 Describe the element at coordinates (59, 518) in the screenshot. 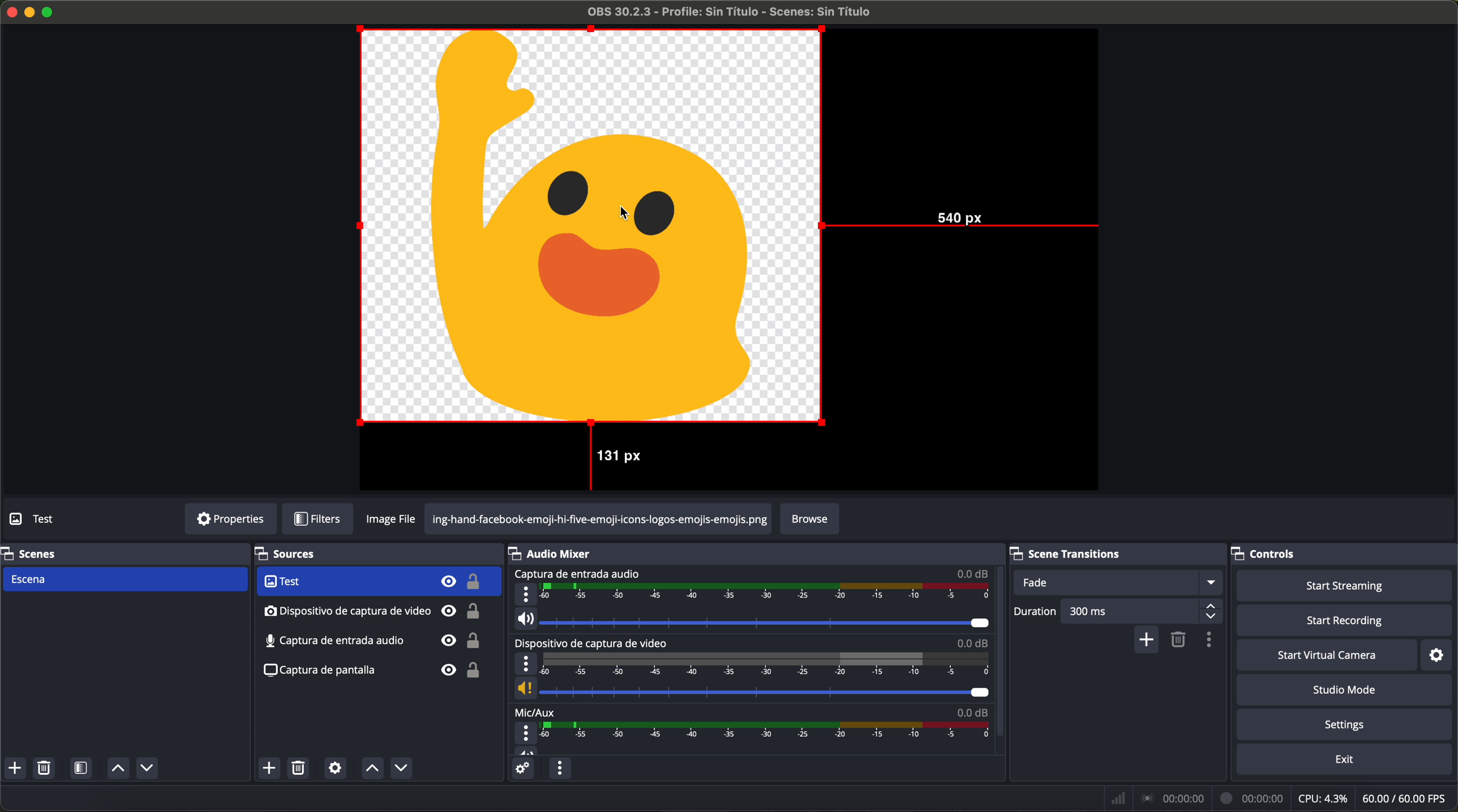

I see `no source selected` at that location.